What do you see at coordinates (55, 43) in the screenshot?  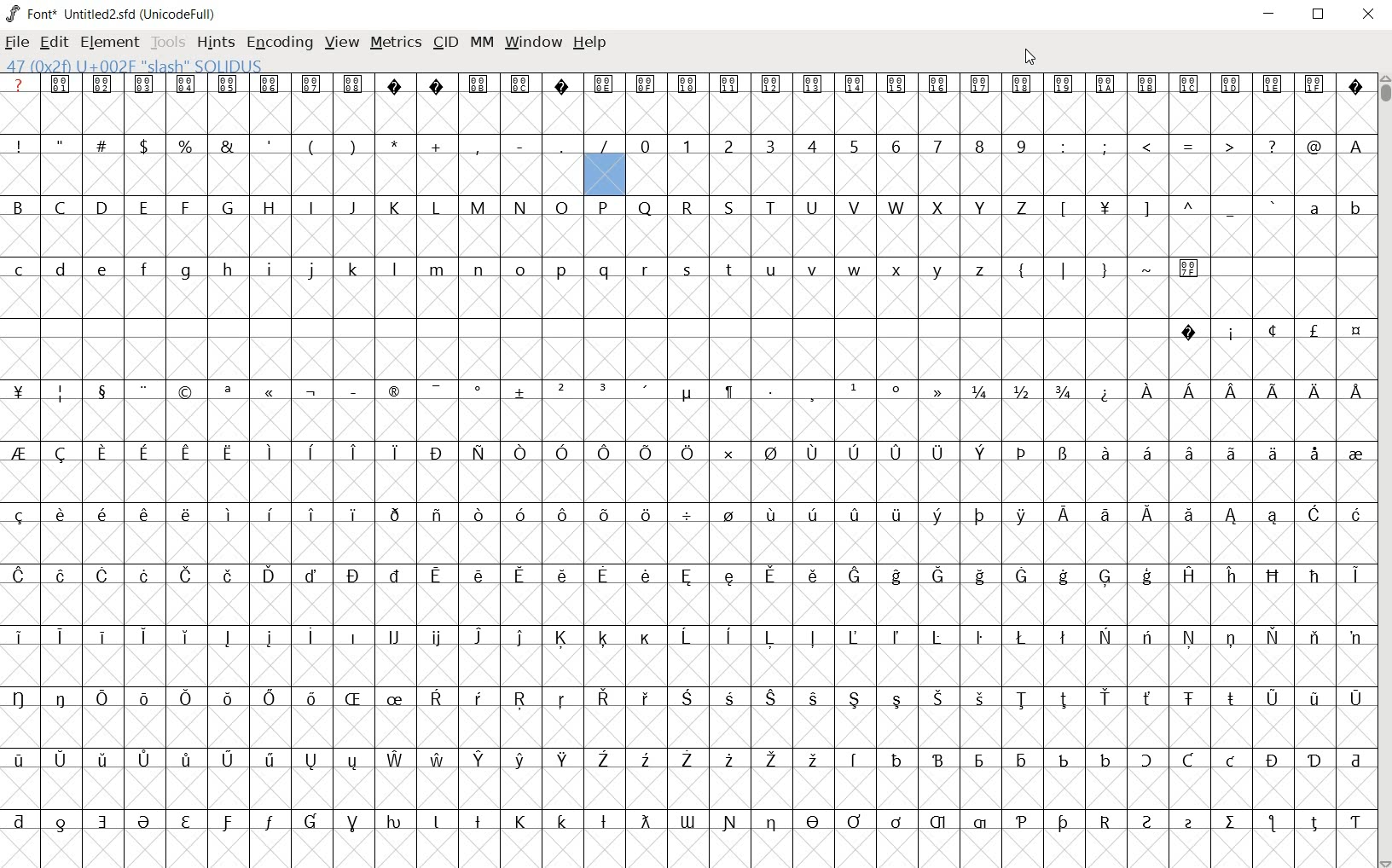 I see `EDIT` at bounding box center [55, 43].